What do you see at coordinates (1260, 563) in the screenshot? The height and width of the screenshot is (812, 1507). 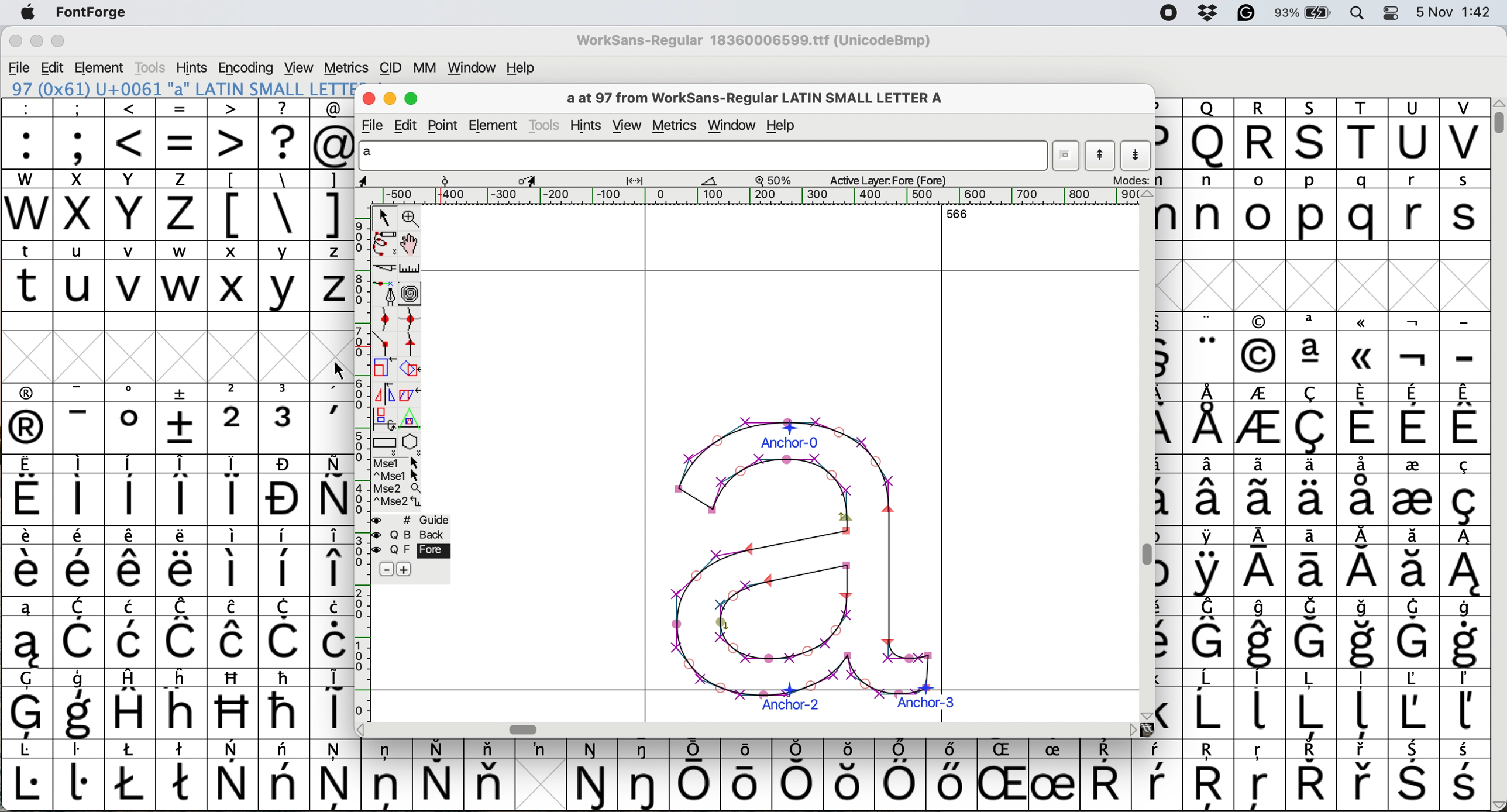 I see `symbol` at bounding box center [1260, 563].